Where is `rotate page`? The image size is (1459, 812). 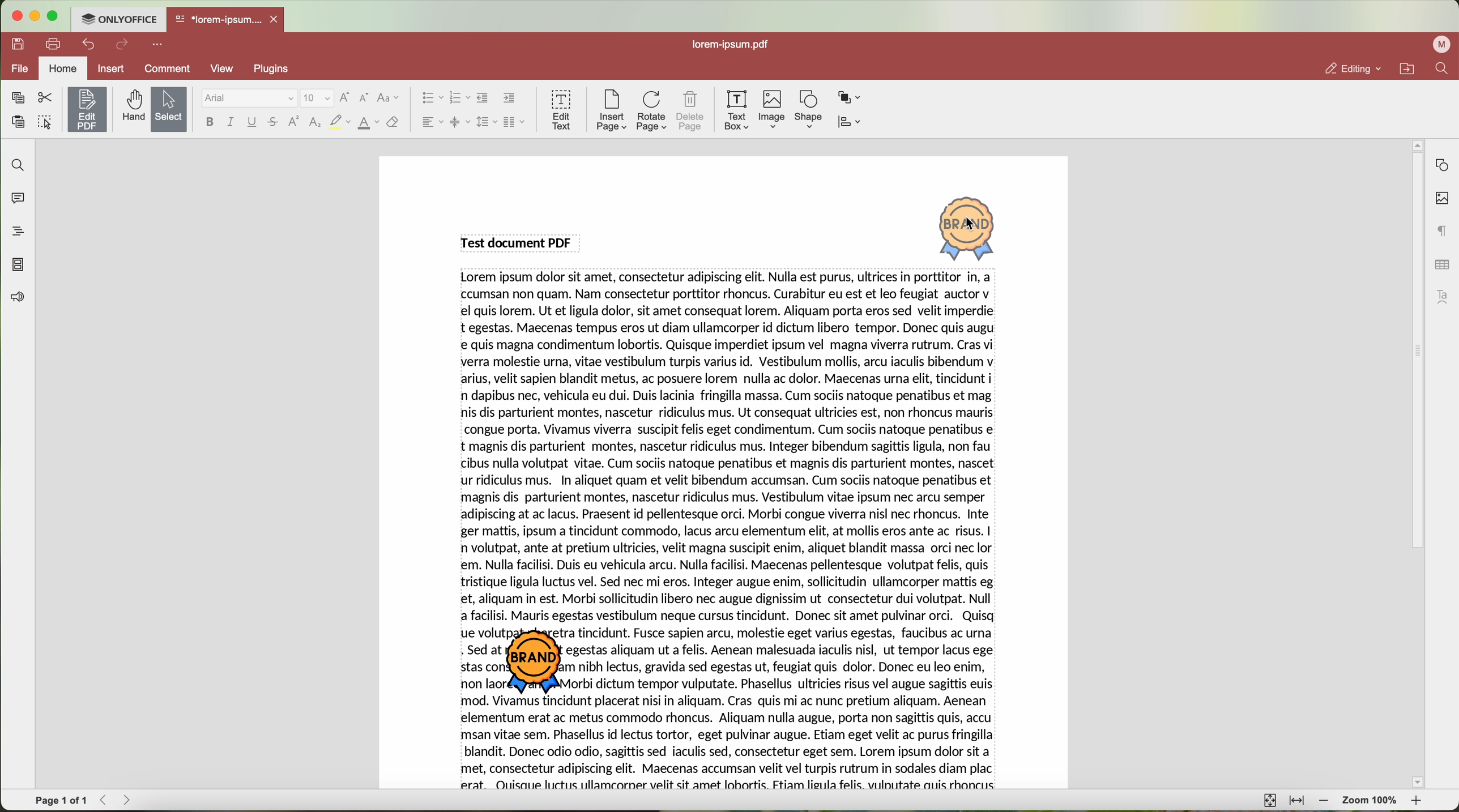 rotate page is located at coordinates (652, 112).